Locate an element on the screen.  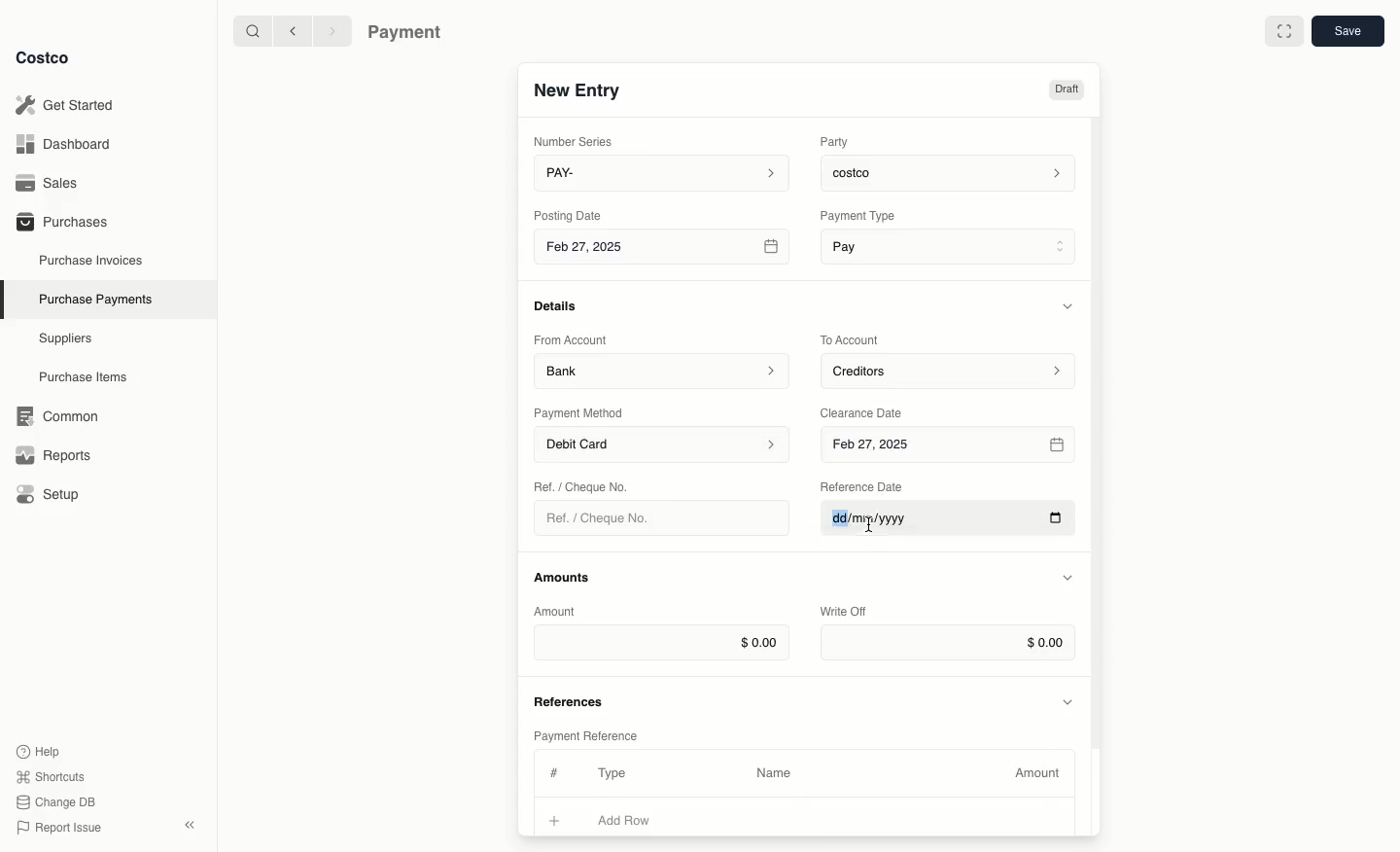
Amounts is located at coordinates (564, 577).